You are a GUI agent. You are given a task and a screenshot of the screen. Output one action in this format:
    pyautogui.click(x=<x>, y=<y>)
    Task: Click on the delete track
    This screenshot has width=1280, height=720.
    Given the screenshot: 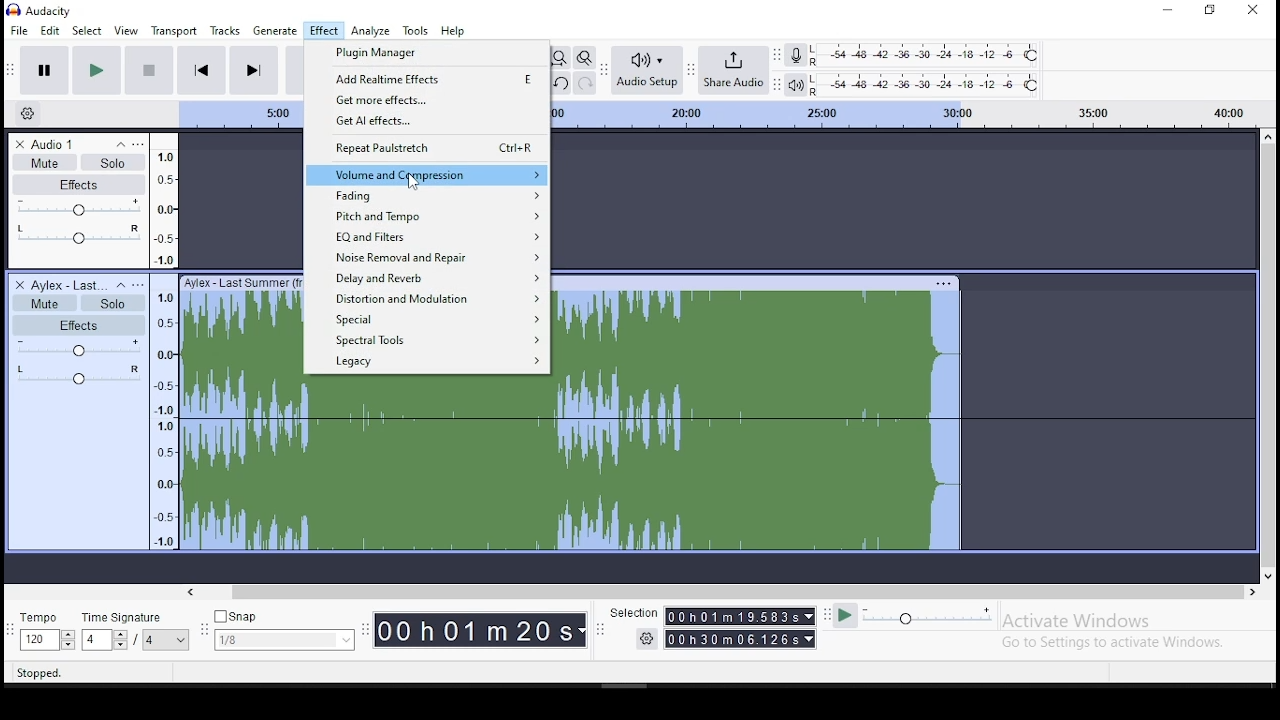 What is the action you would take?
    pyautogui.click(x=16, y=284)
    